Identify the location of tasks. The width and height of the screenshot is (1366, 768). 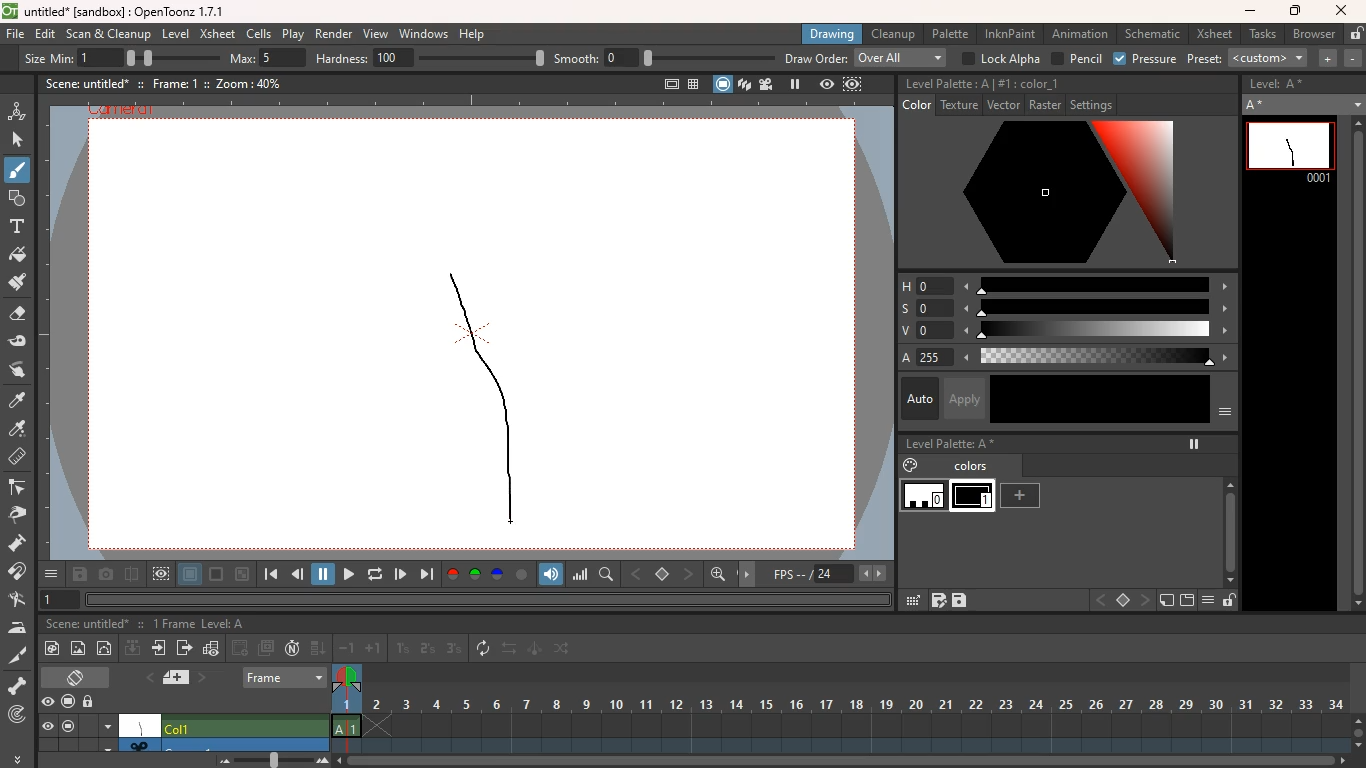
(1260, 35).